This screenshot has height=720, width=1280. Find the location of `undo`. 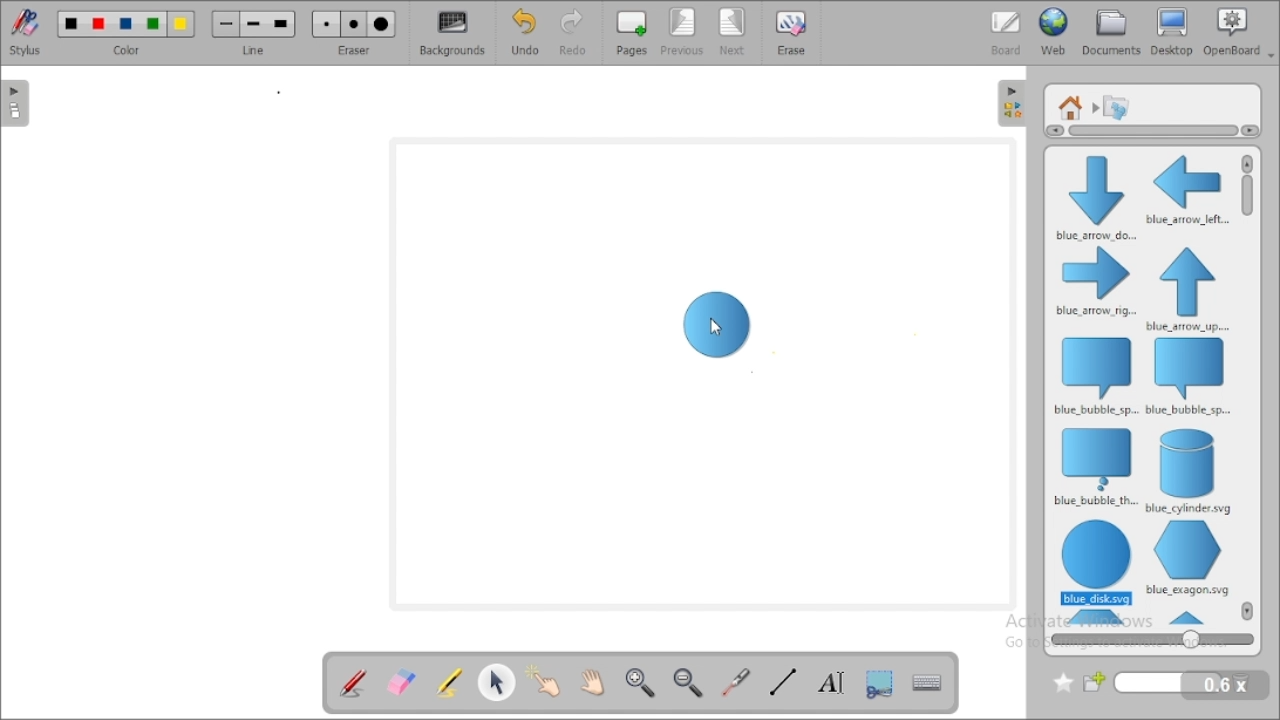

undo is located at coordinates (525, 32).